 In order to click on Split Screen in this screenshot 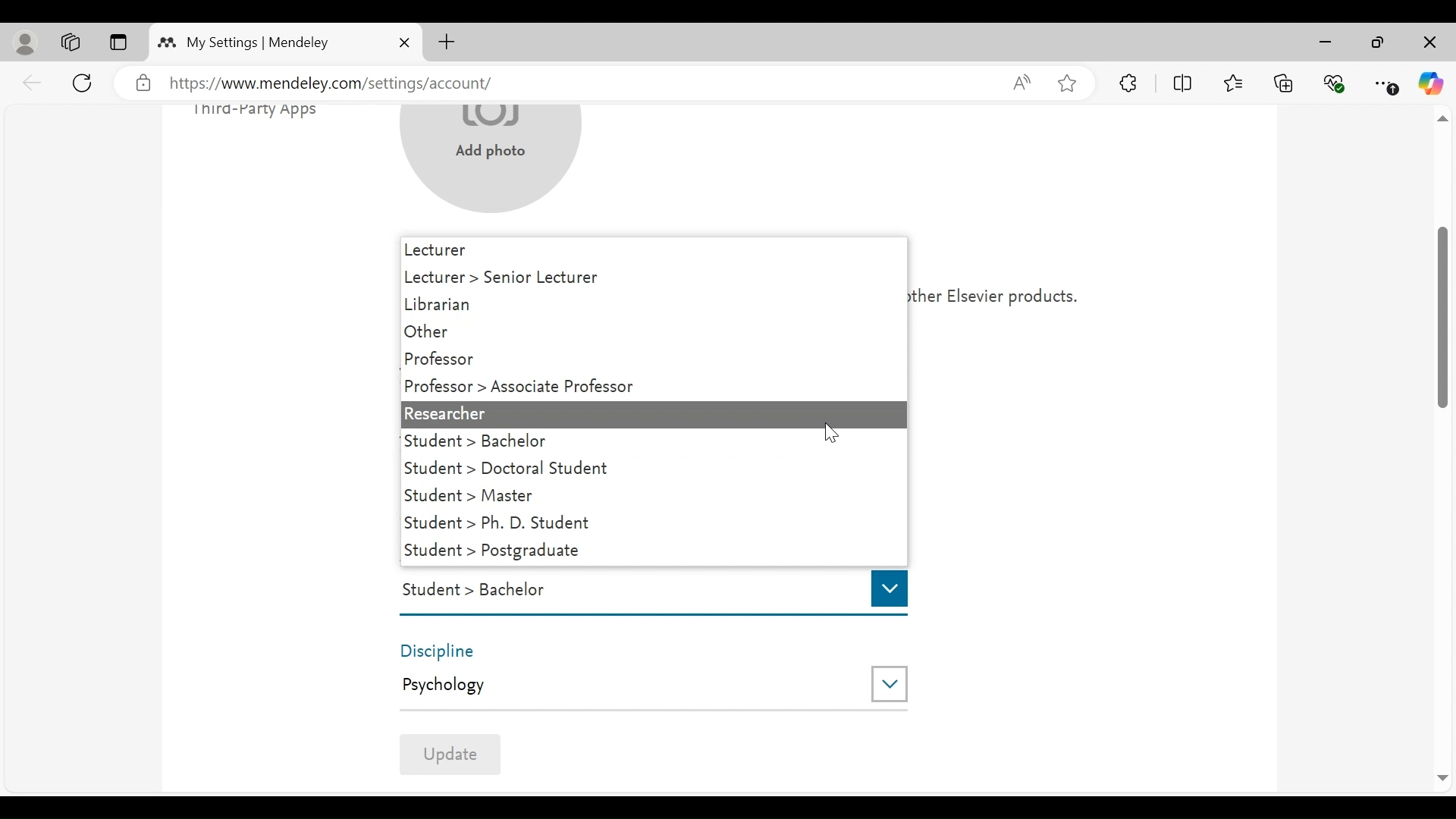, I will do `click(1185, 83)`.